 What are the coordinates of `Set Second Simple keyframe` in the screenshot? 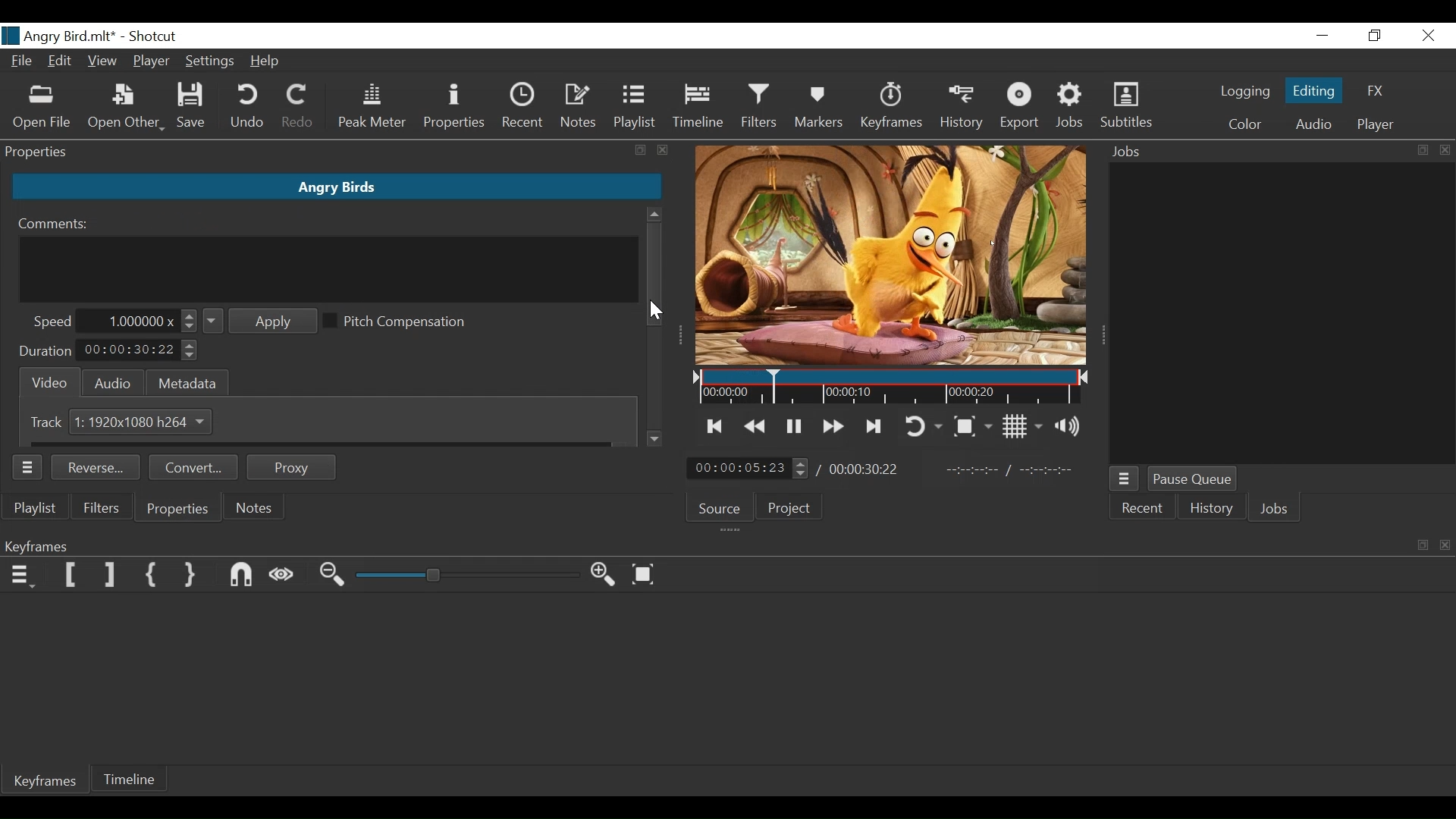 It's located at (193, 576).